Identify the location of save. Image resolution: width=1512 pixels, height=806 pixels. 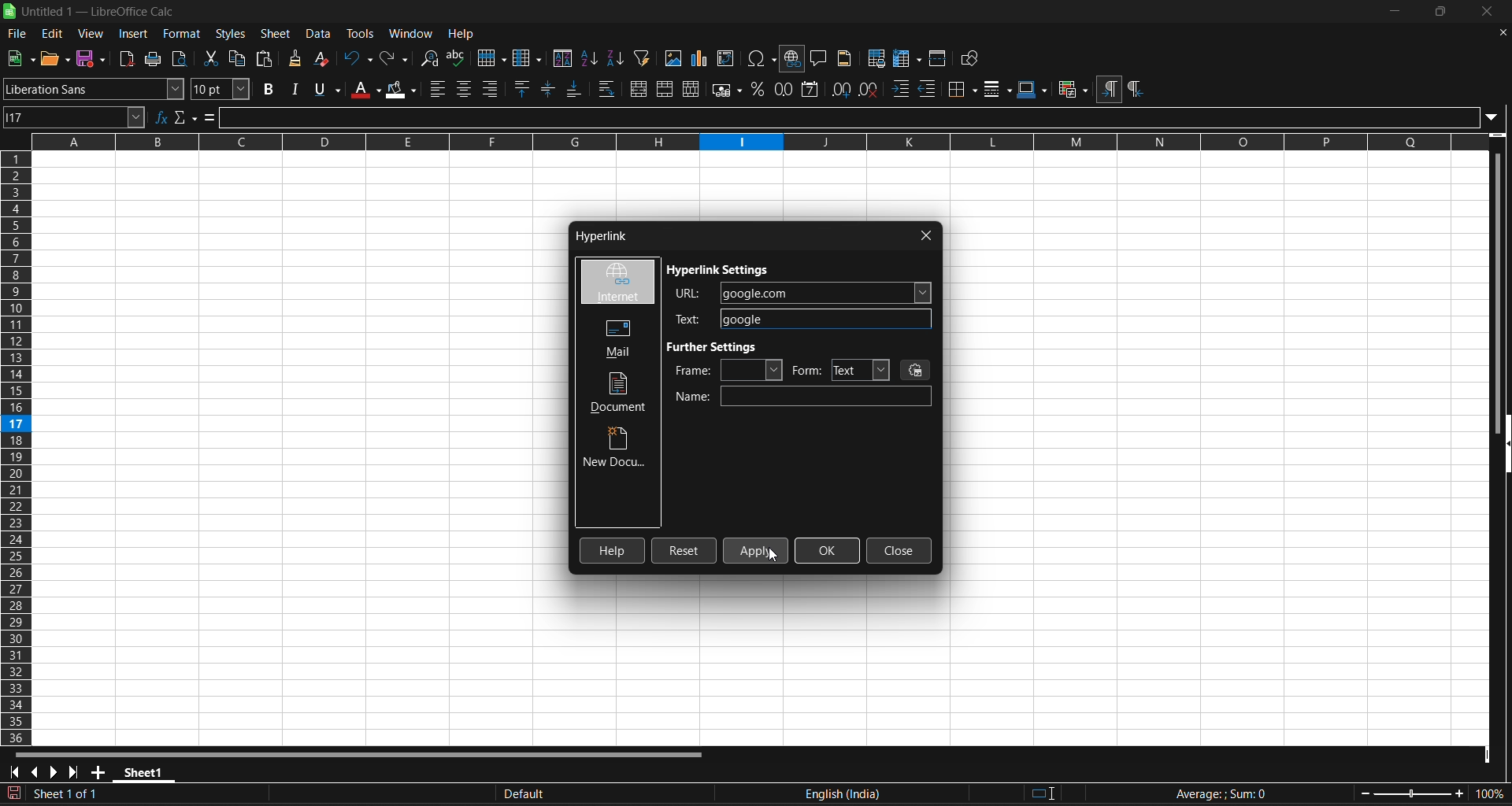
(20, 59).